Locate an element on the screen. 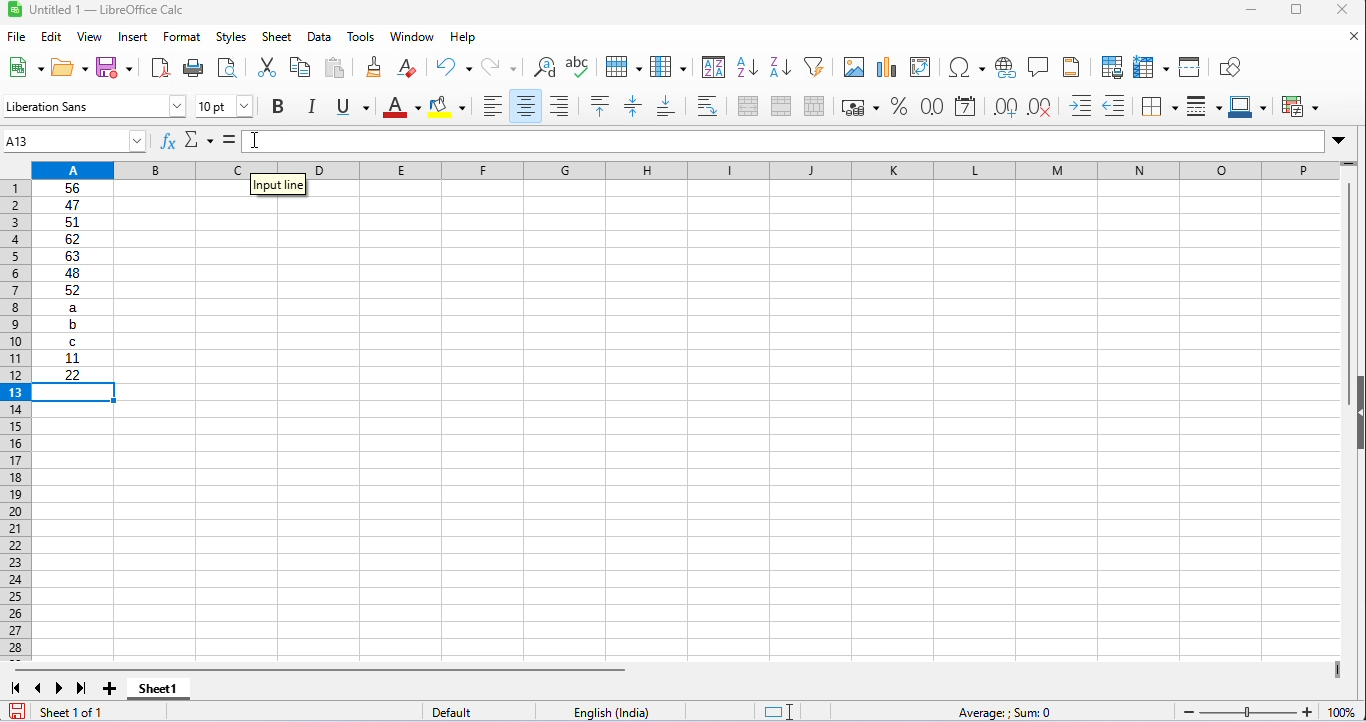 This screenshot has width=1366, height=722. Software logo is located at coordinates (16, 10).